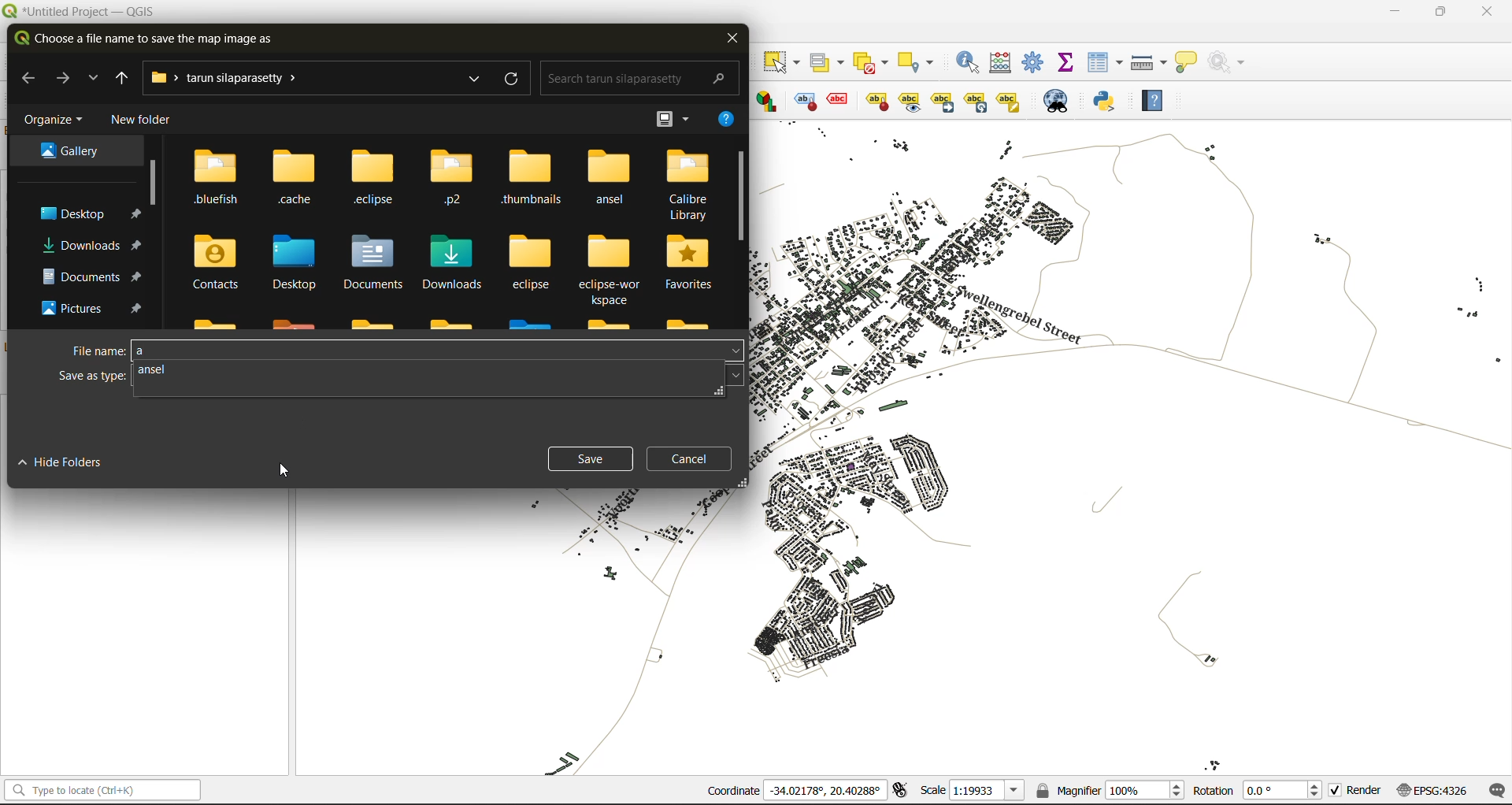  Describe the element at coordinates (1159, 100) in the screenshot. I see `help` at that location.